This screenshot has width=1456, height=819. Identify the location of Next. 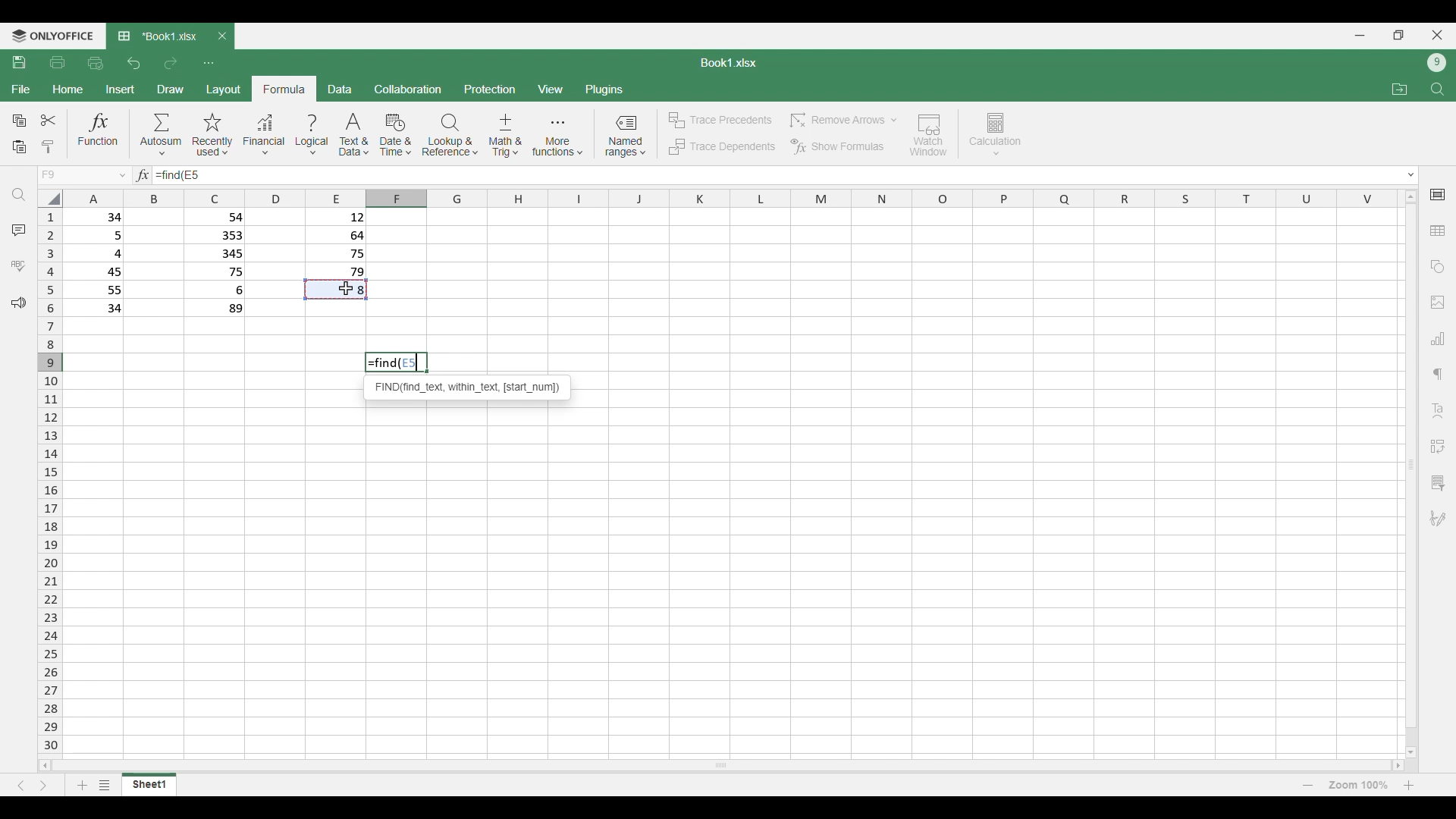
(43, 786).